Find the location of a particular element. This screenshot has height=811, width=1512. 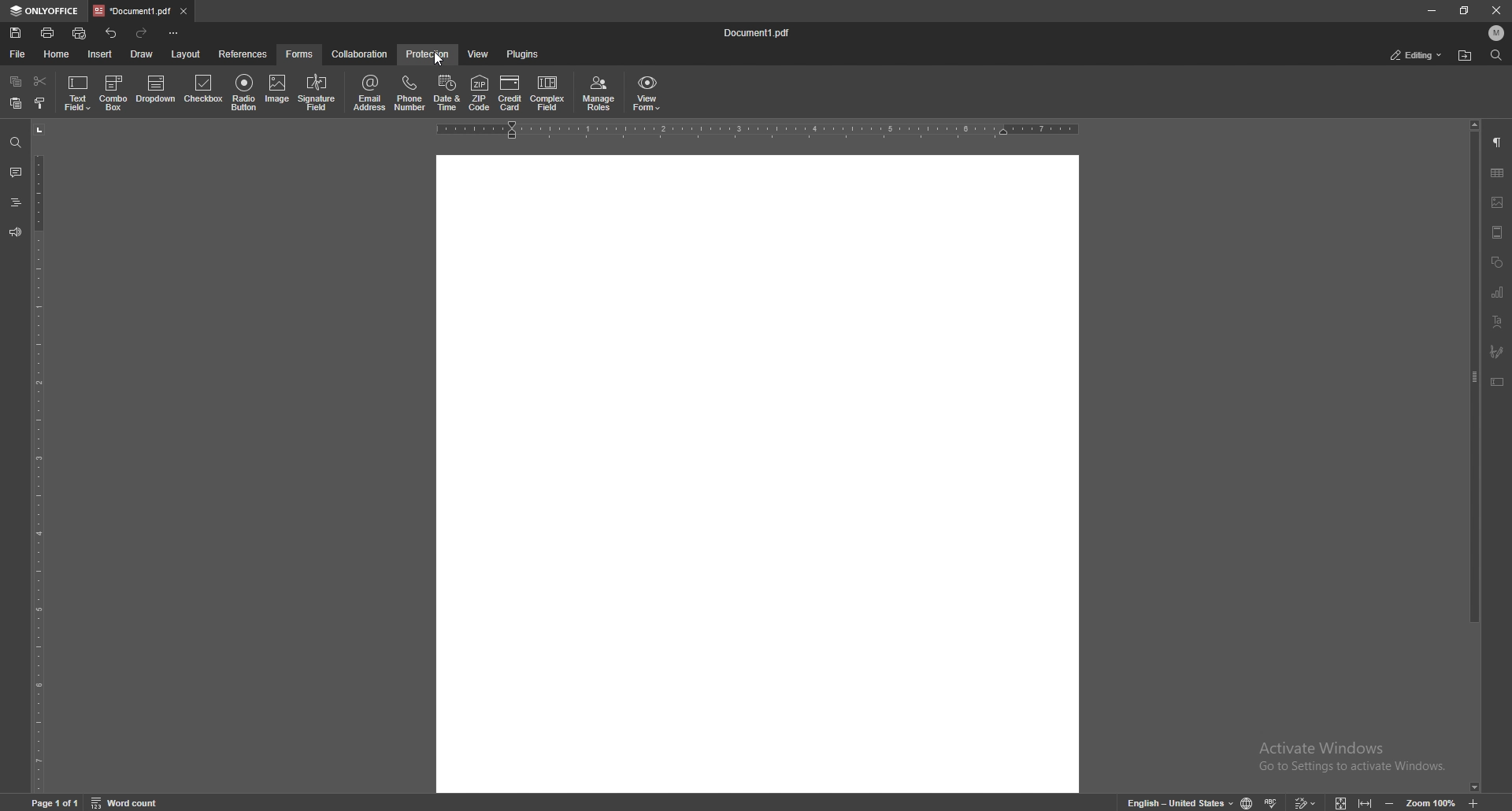

header and footer is located at coordinates (1497, 232).